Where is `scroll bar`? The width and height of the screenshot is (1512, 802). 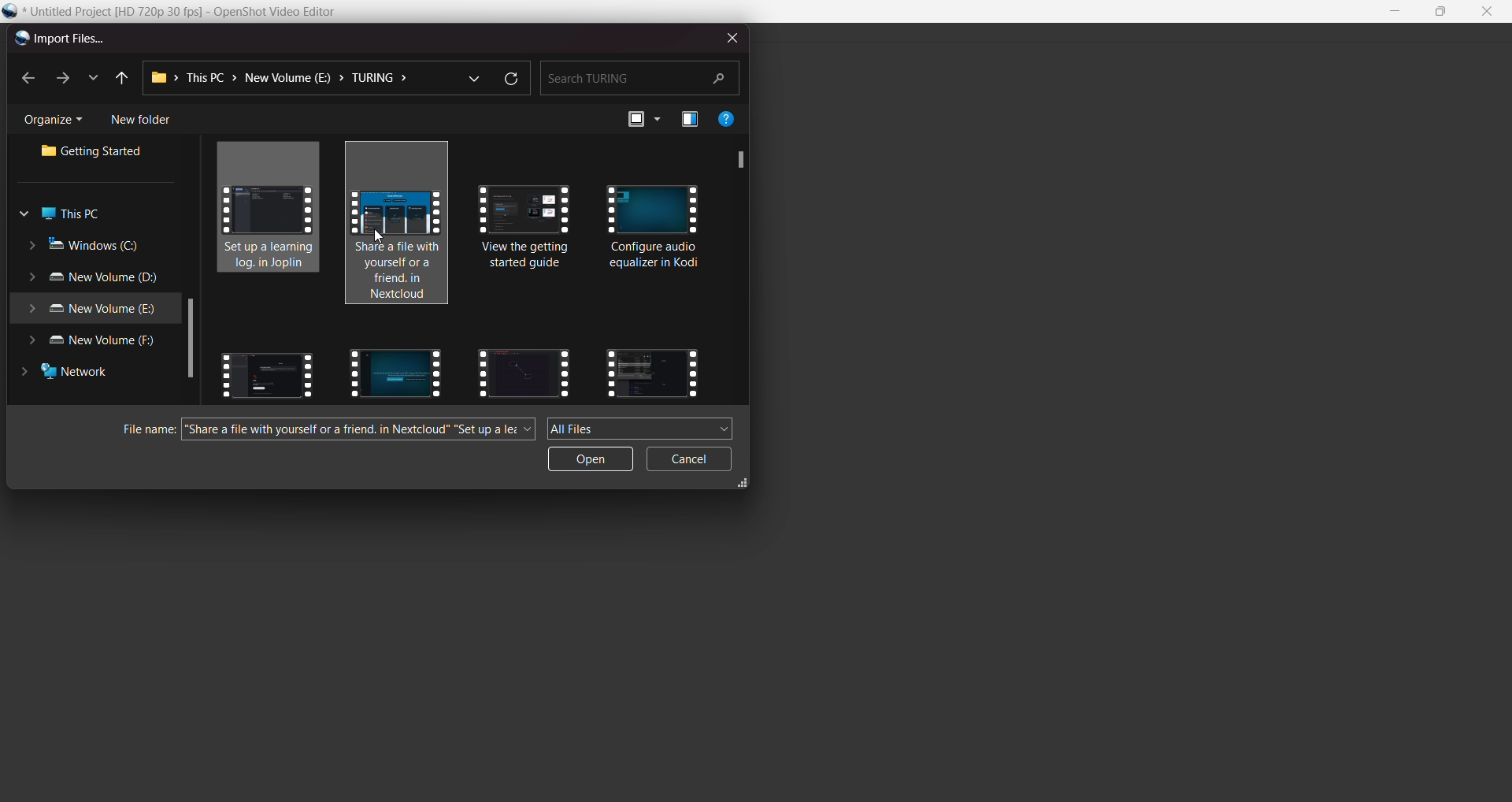 scroll bar is located at coordinates (190, 340).